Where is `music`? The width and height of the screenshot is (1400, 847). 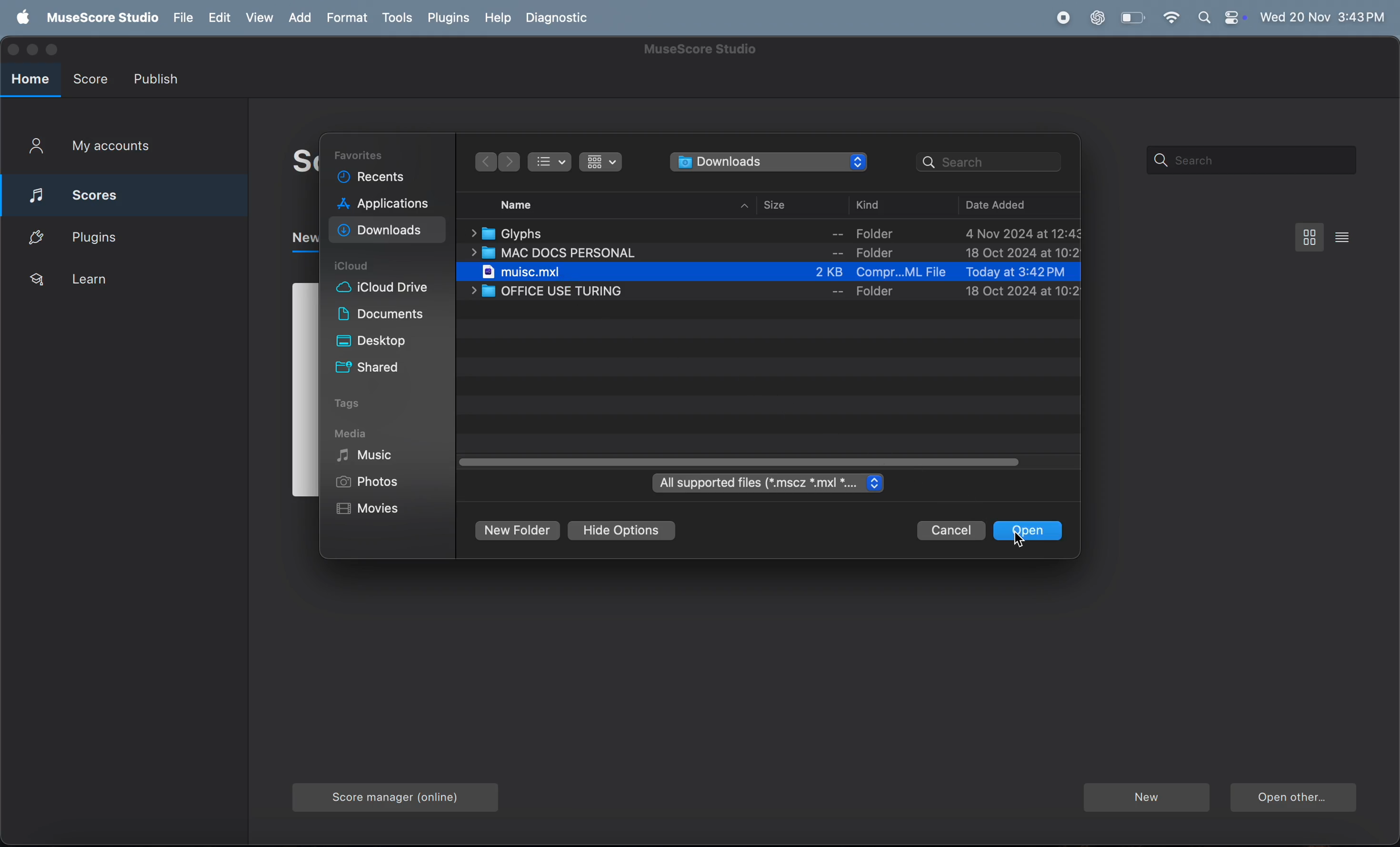
music is located at coordinates (778, 273).